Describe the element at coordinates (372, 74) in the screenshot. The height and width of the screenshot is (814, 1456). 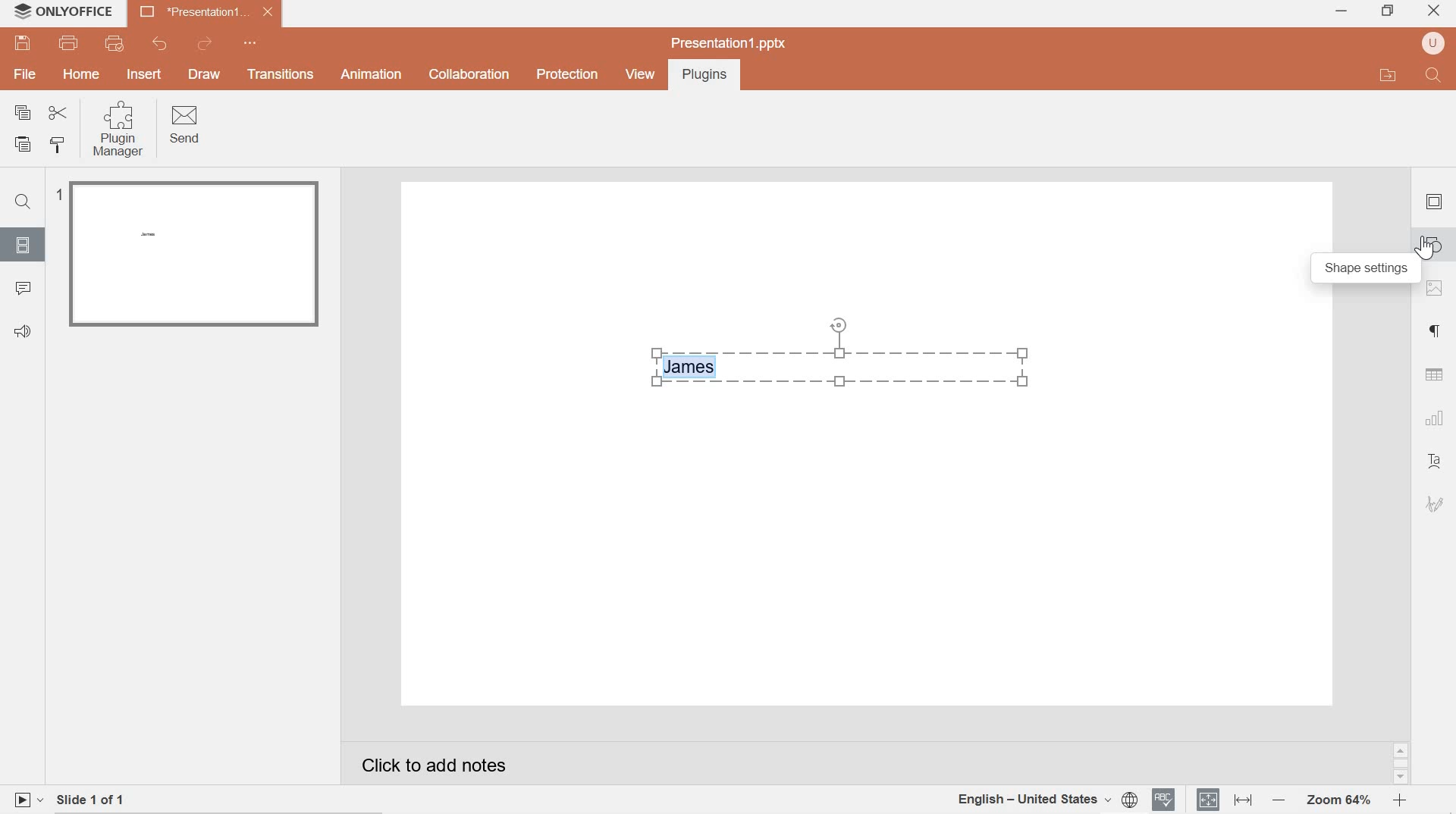
I see `Animation` at that location.